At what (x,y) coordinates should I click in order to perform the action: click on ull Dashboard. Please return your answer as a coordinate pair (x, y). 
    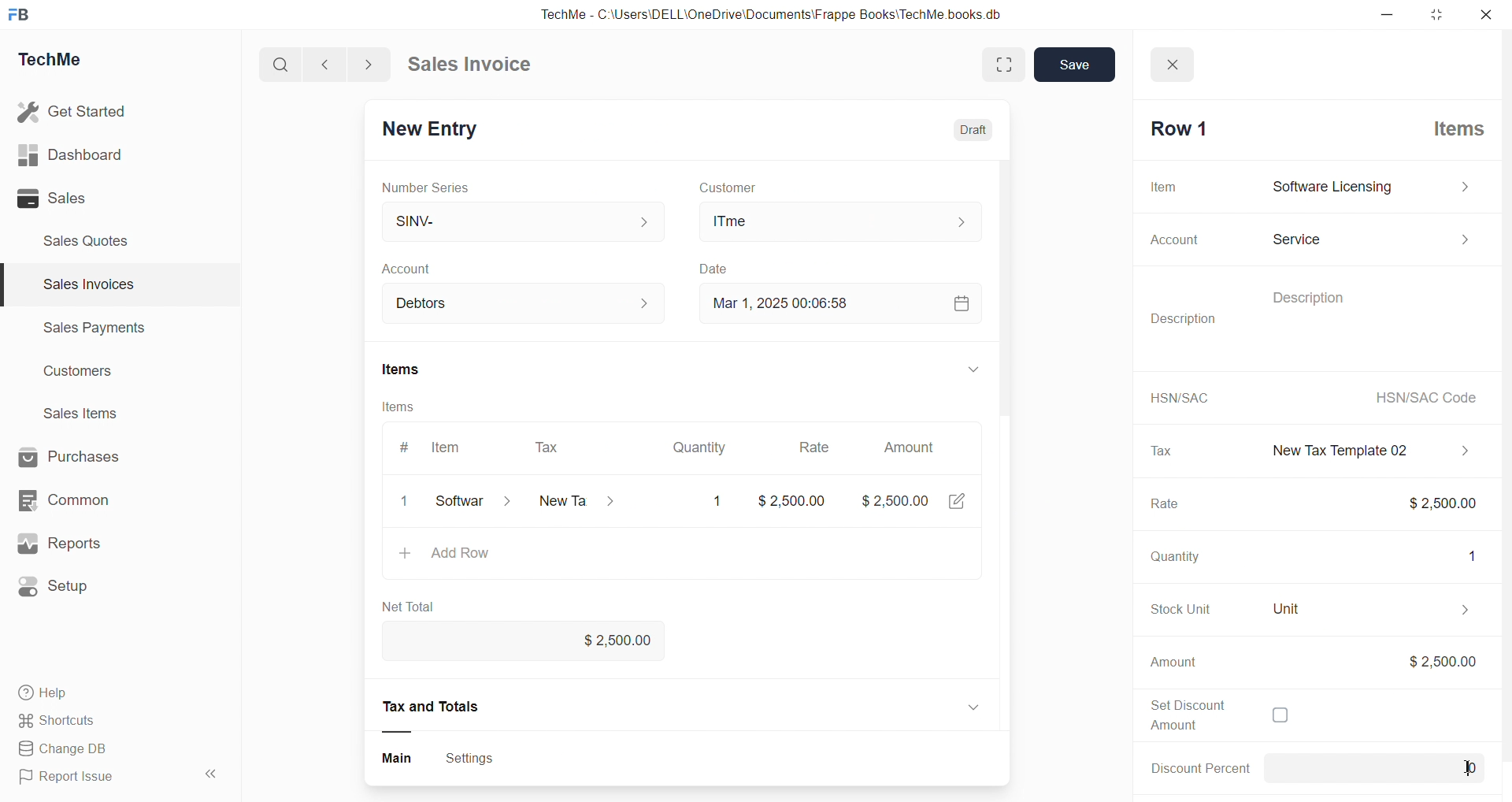
    Looking at the image, I should click on (78, 154).